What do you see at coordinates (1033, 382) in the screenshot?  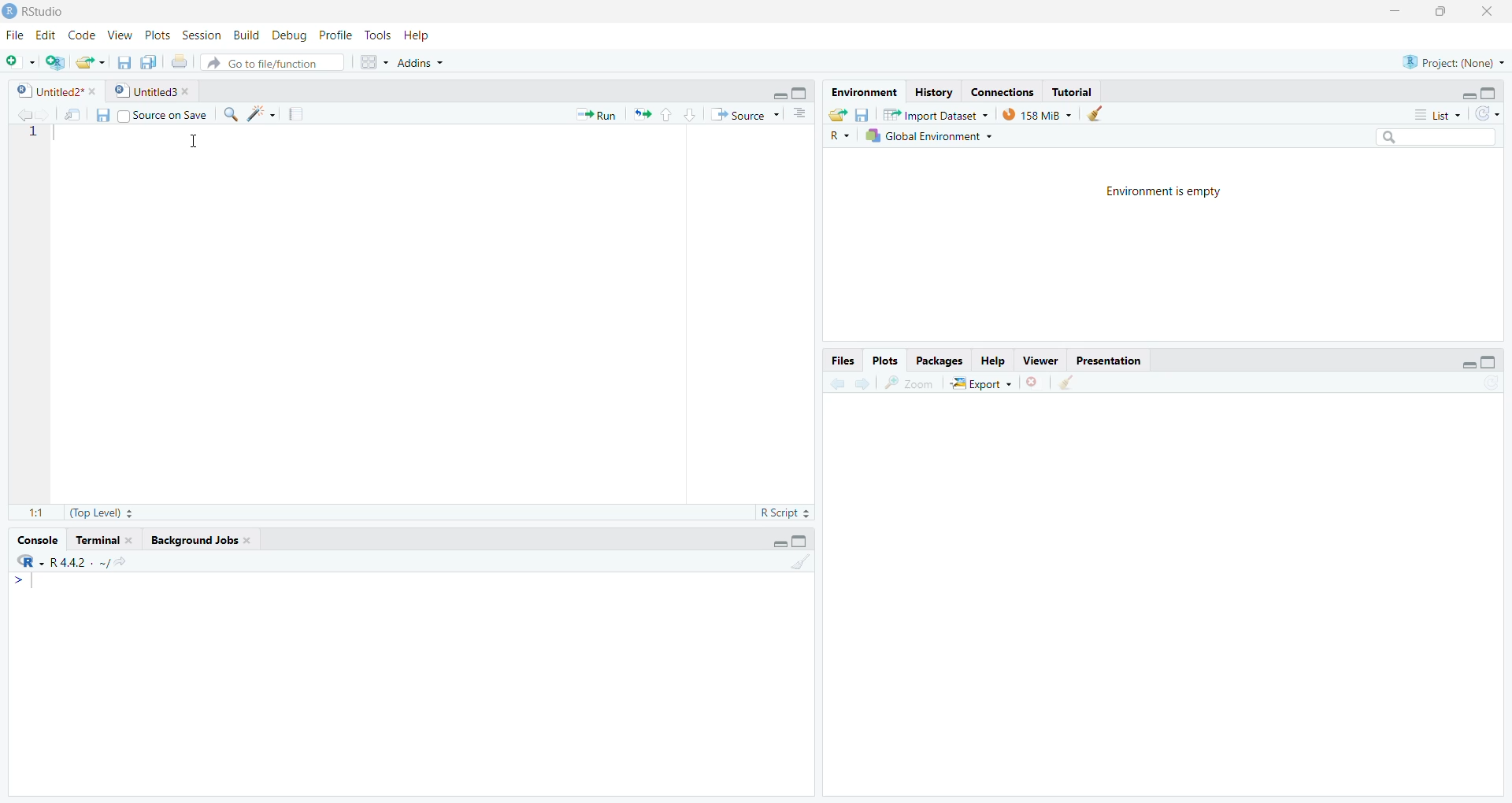 I see `remove current viewer` at bounding box center [1033, 382].